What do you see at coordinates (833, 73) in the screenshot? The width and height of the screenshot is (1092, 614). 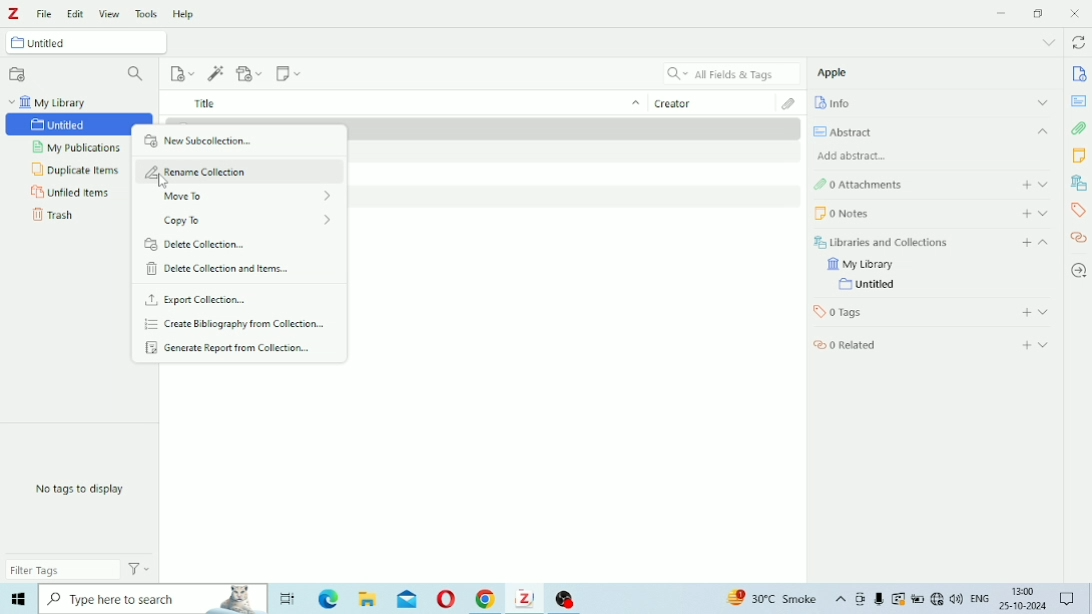 I see `Apple` at bounding box center [833, 73].